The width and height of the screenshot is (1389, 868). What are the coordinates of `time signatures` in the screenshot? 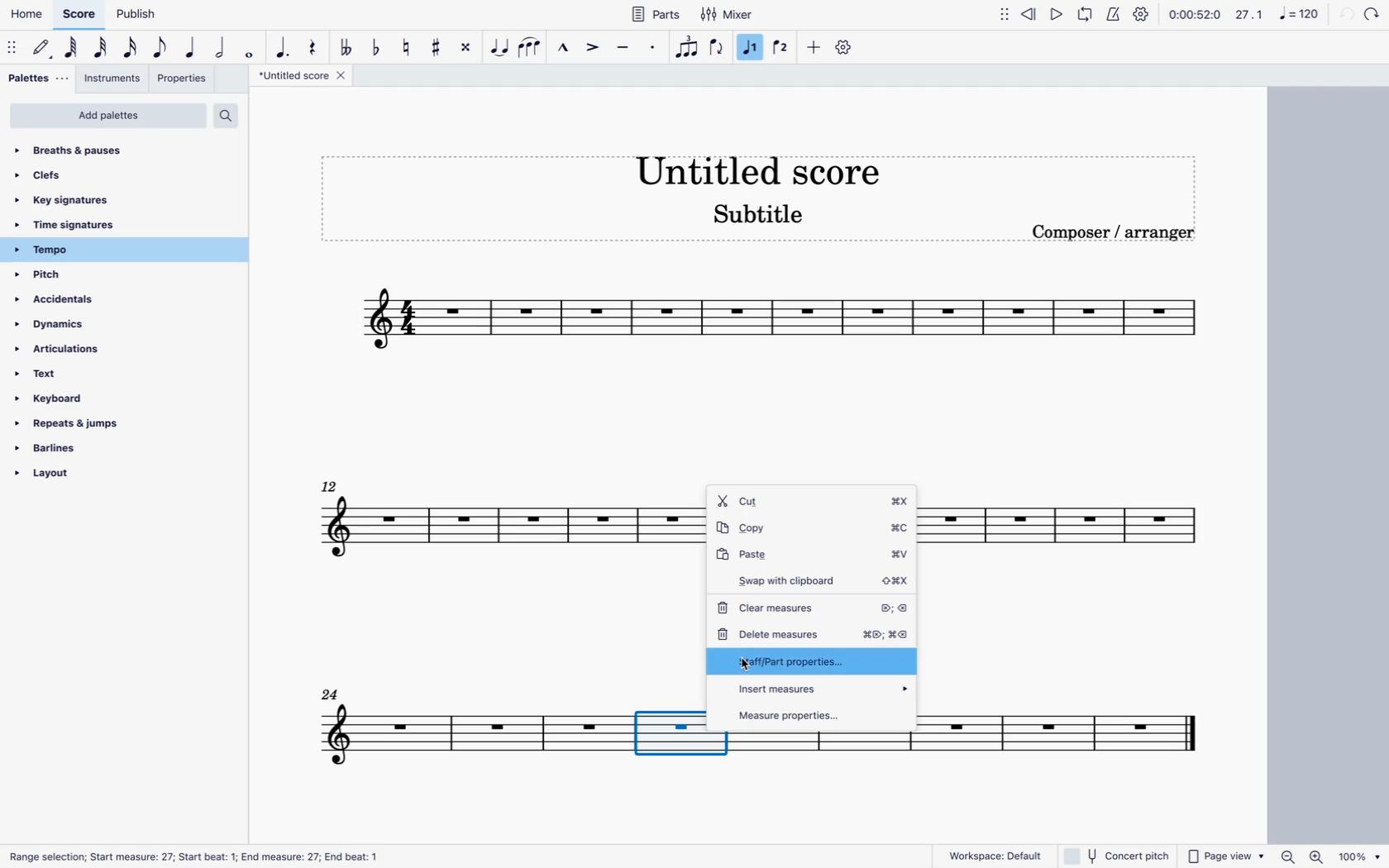 It's located at (76, 227).